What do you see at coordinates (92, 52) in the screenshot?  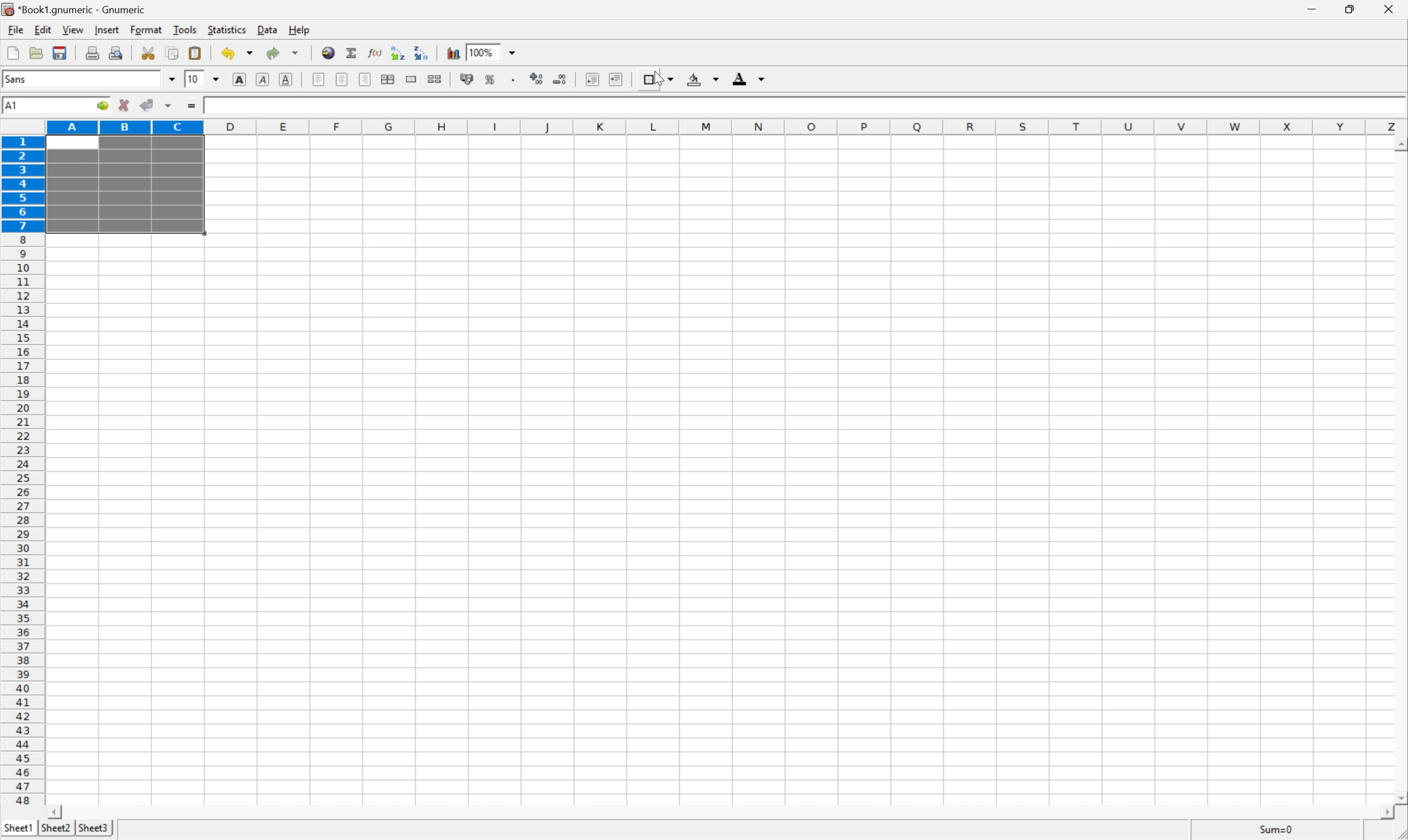 I see `print` at bounding box center [92, 52].